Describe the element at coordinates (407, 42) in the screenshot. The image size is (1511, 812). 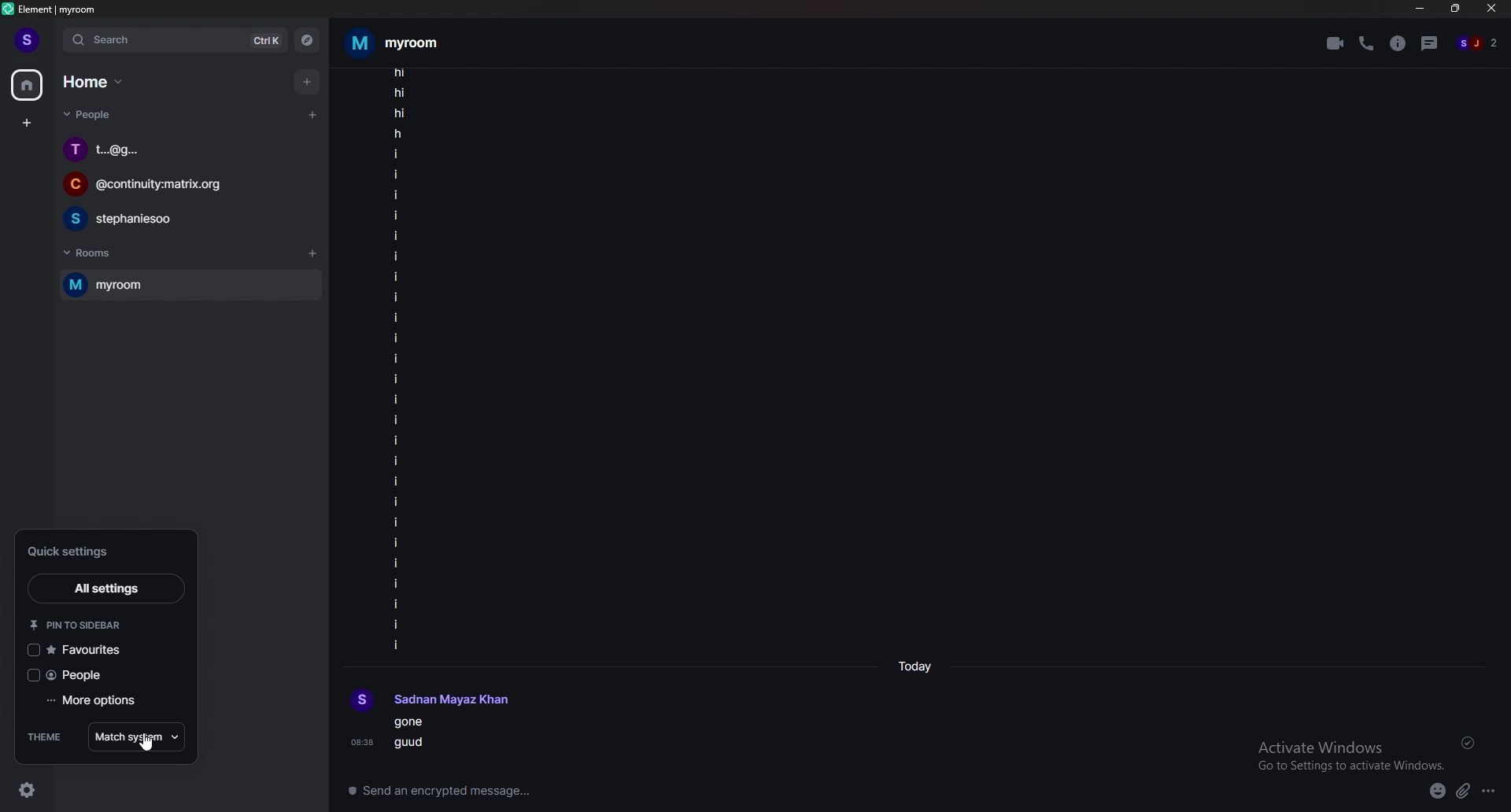
I see `room` at that location.